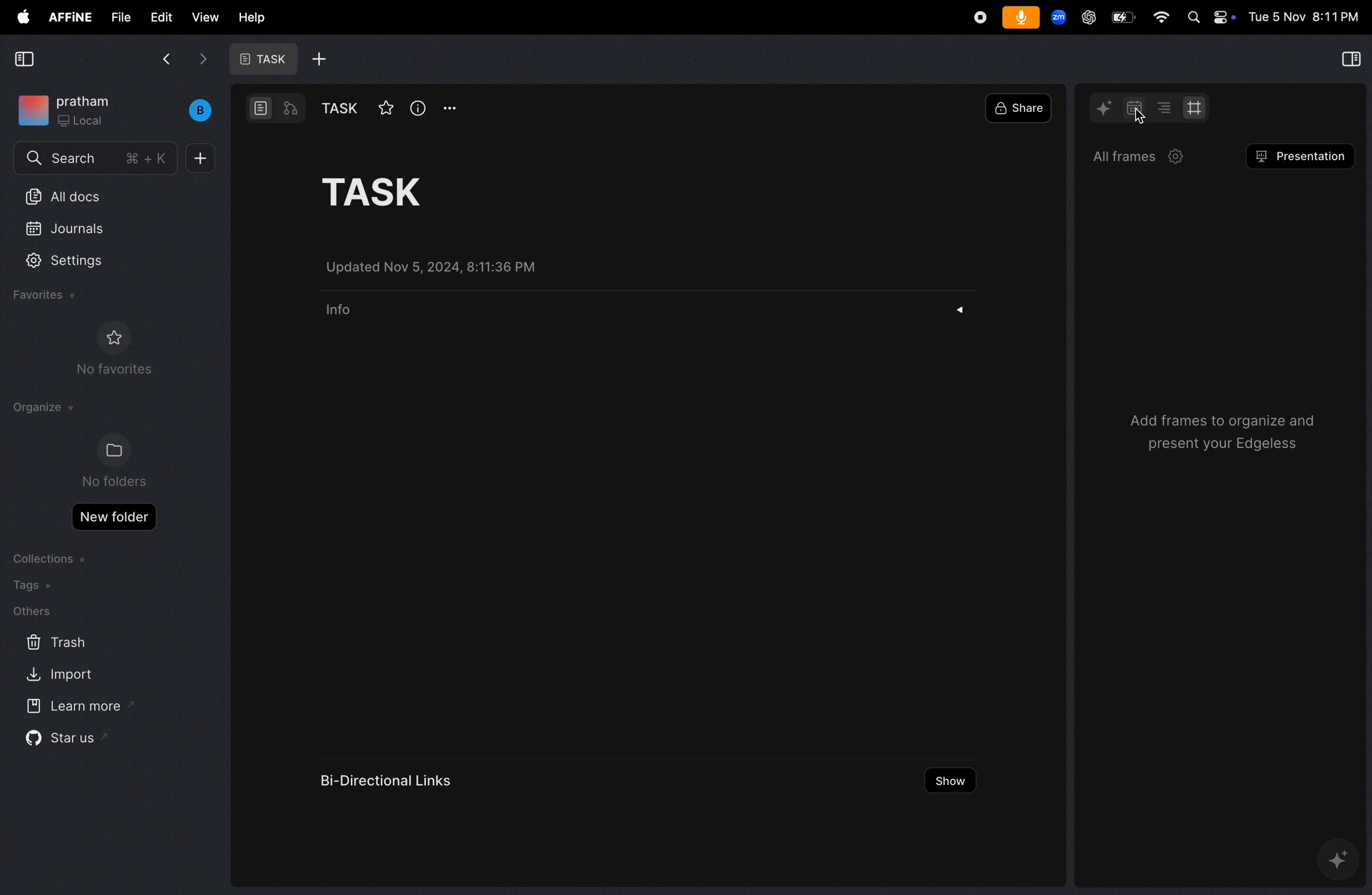 This screenshot has height=895, width=1372. Describe the element at coordinates (119, 354) in the screenshot. I see `no favourites` at that location.